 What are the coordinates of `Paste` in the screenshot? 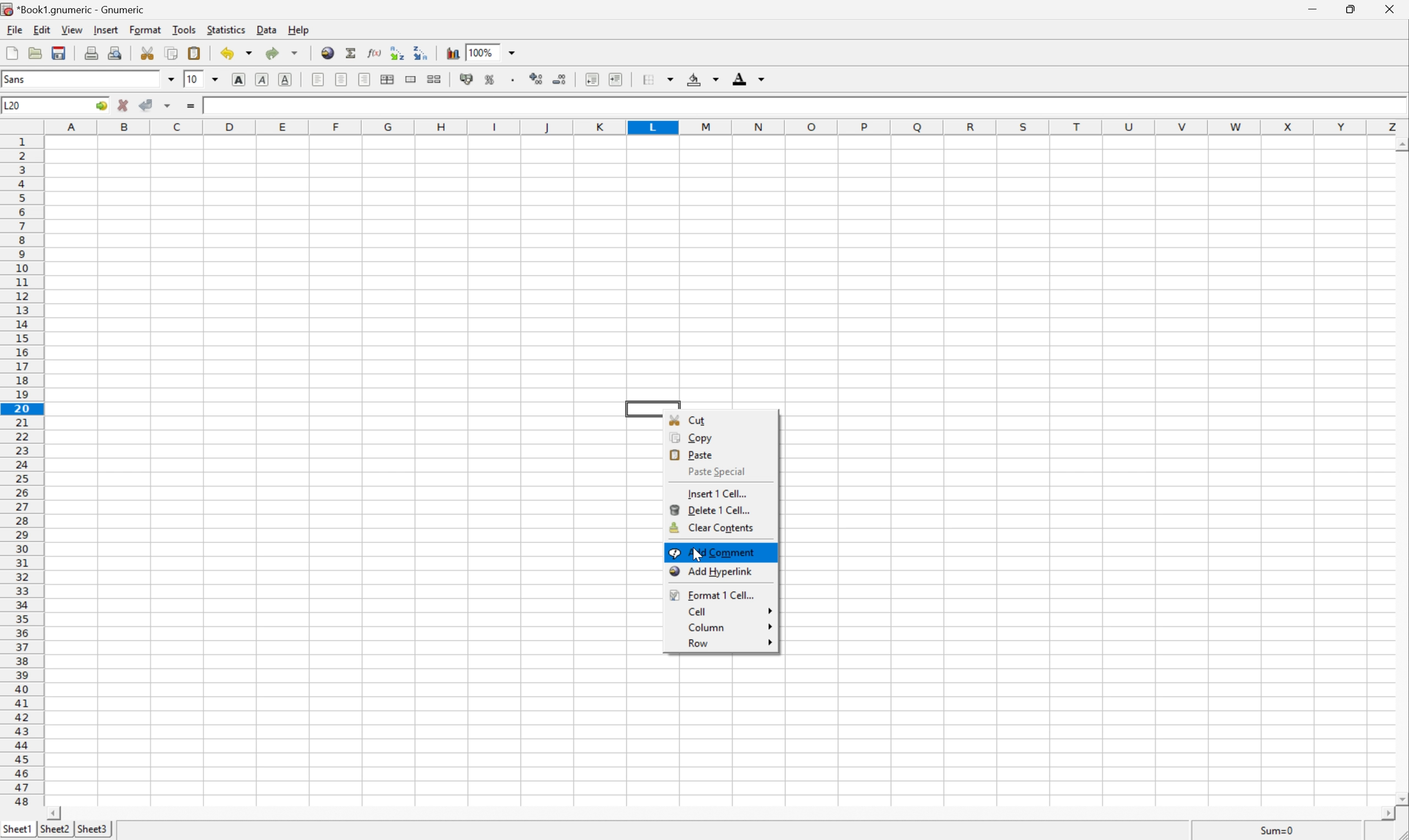 It's located at (693, 453).